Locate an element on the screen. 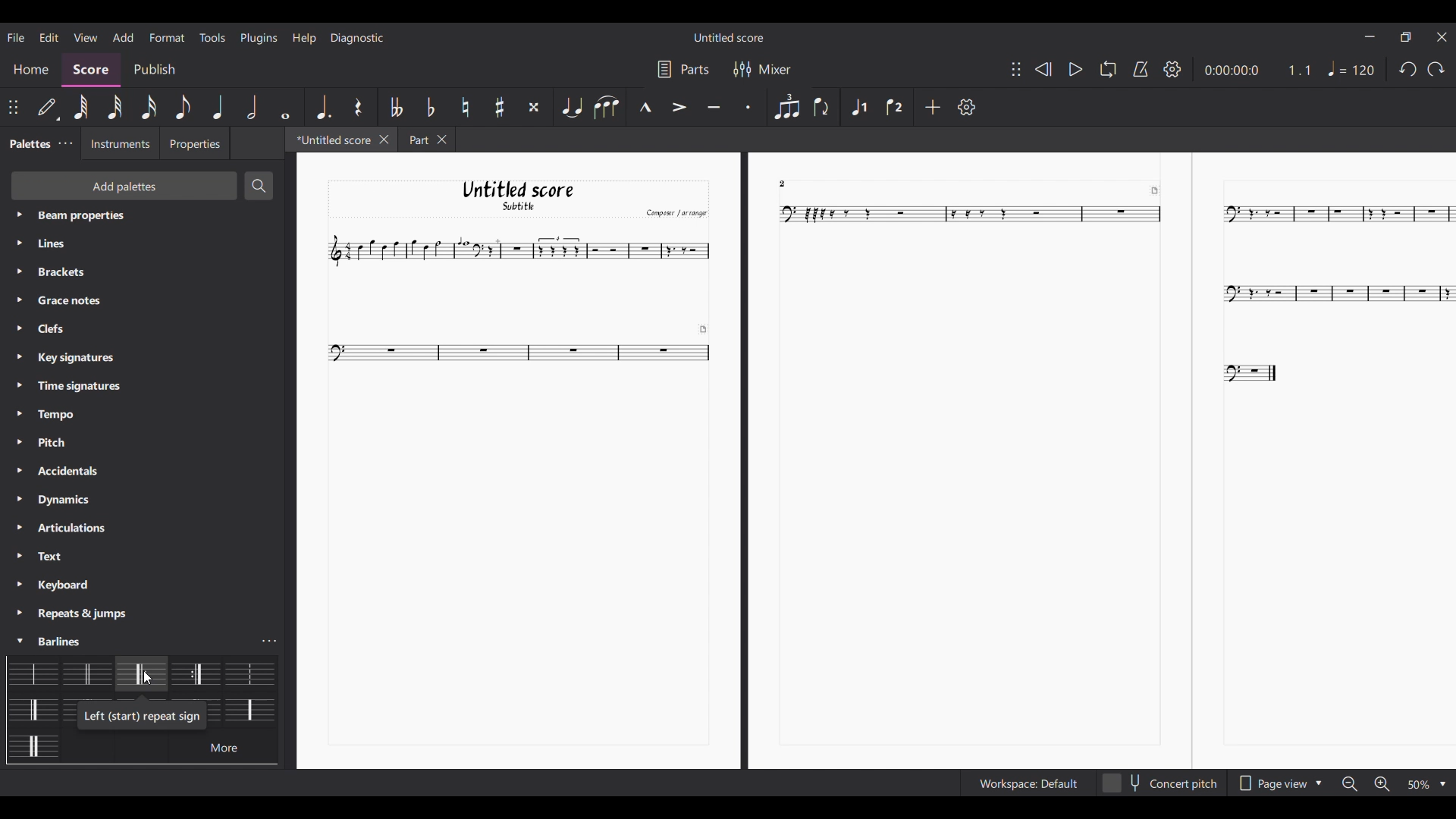  Barline options is located at coordinates (140, 675).